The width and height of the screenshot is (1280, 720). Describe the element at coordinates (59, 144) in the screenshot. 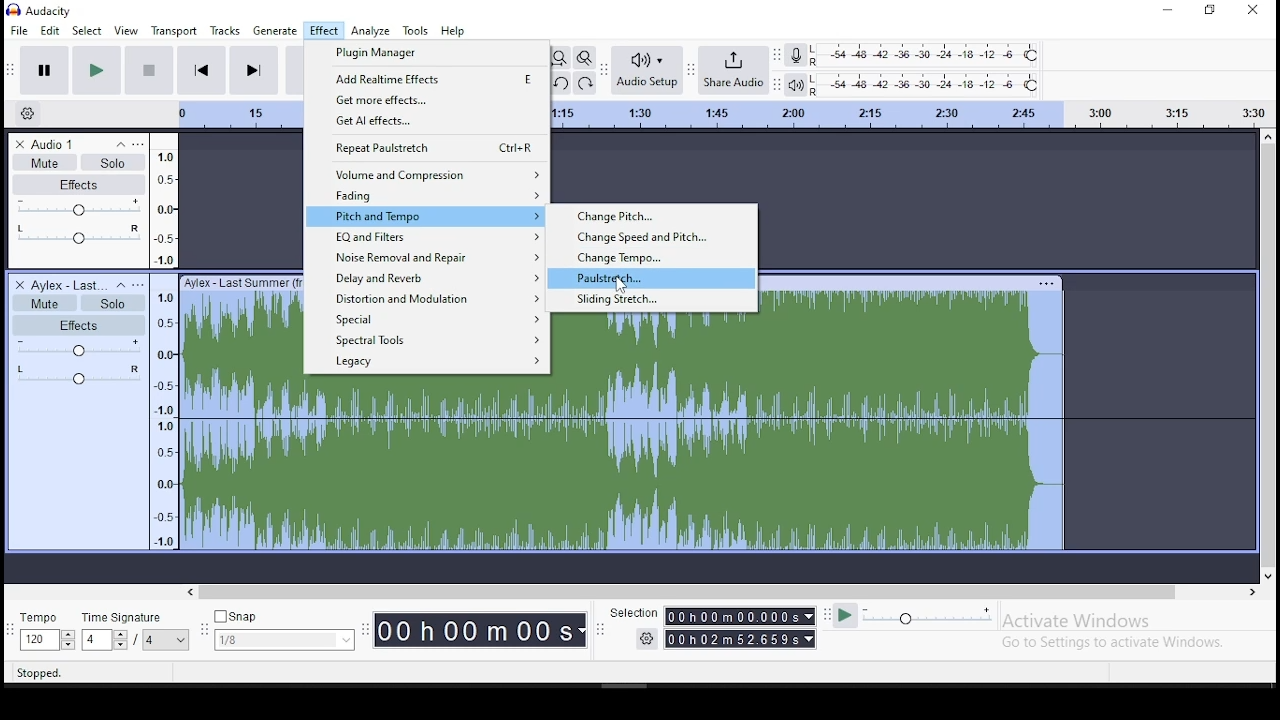

I see `audio ` at that location.